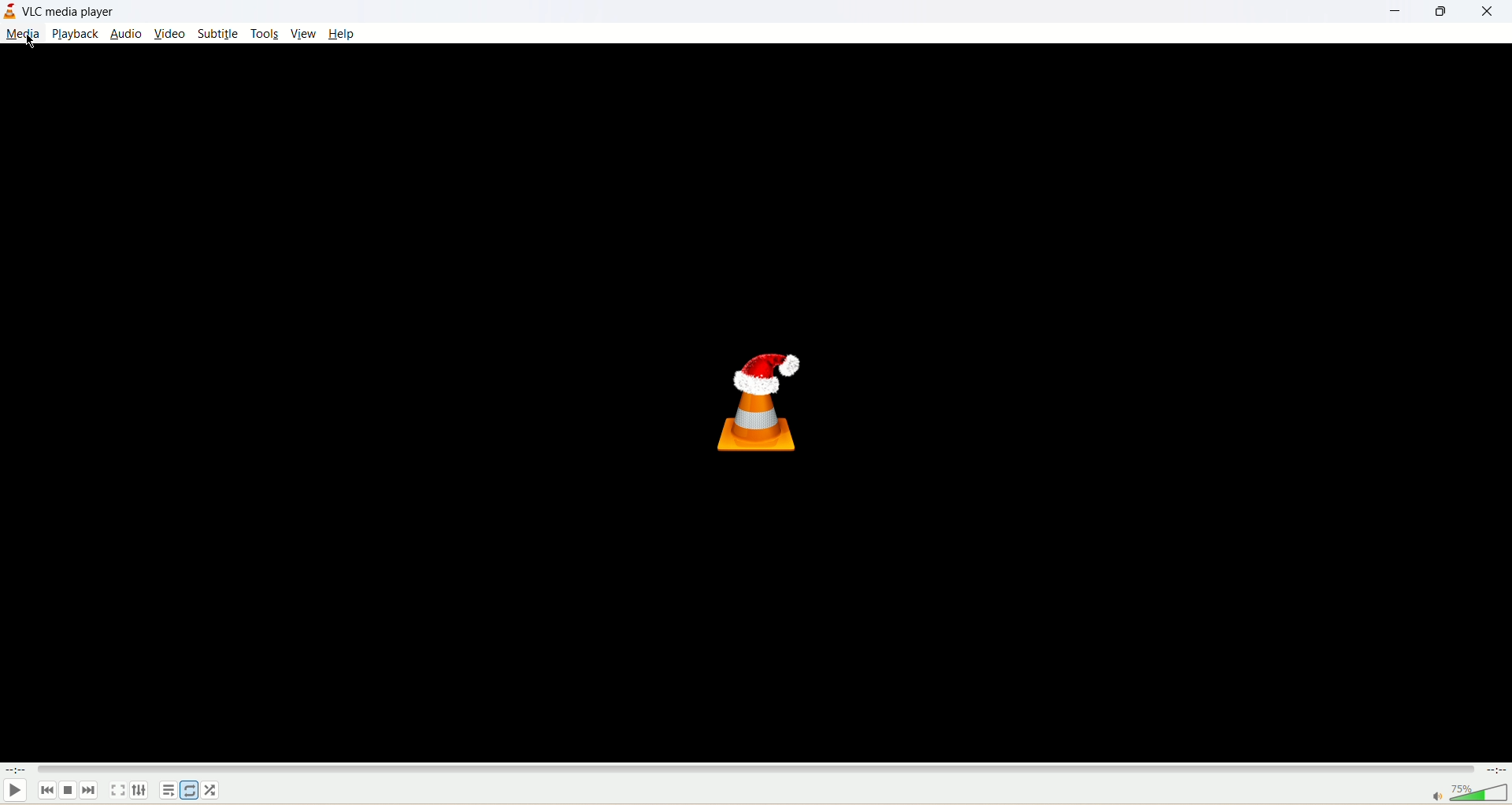 The width and height of the screenshot is (1512, 805). What do you see at coordinates (76, 33) in the screenshot?
I see `playback` at bounding box center [76, 33].